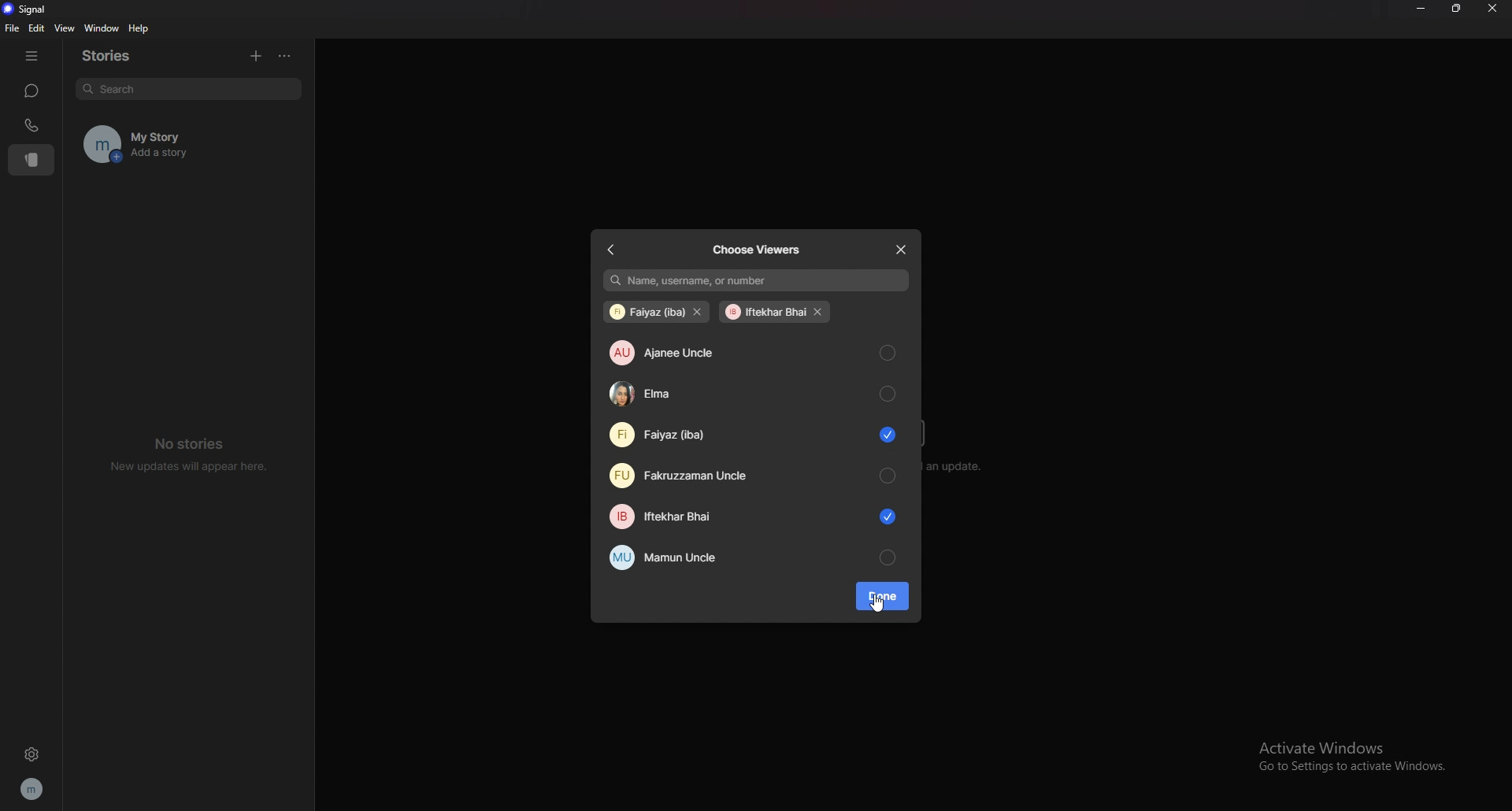 The width and height of the screenshot is (1512, 811). What do you see at coordinates (917, 416) in the screenshot?
I see `scroll bar` at bounding box center [917, 416].